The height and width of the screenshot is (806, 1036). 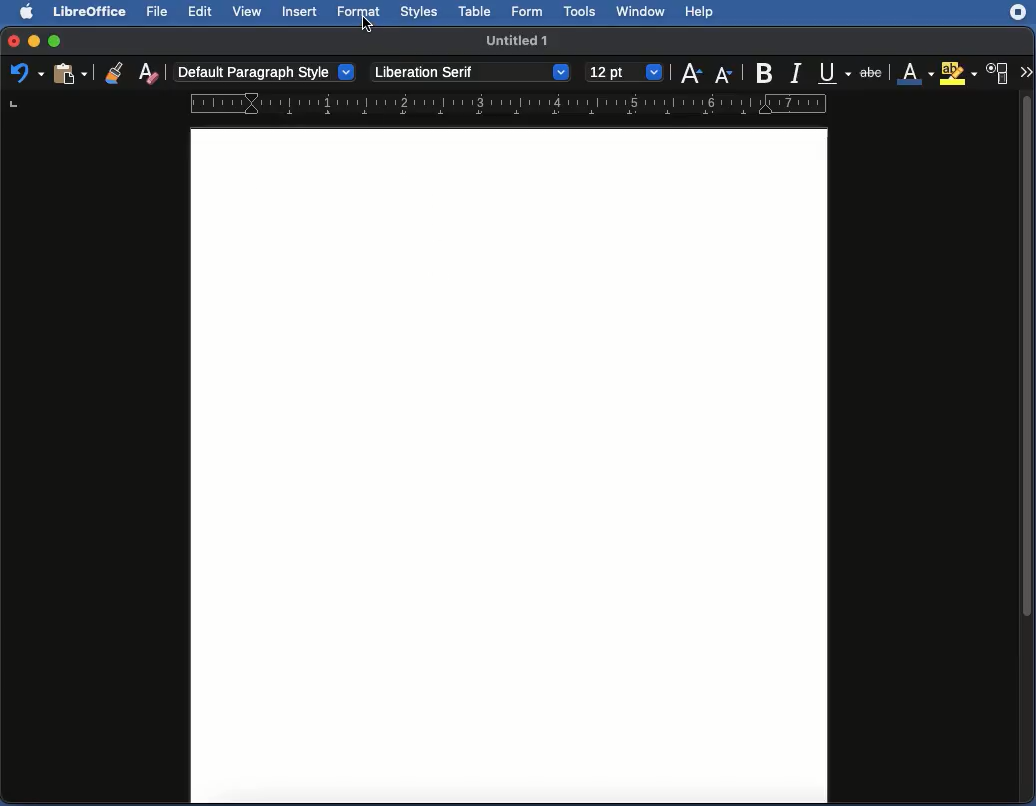 I want to click on Window, so click(x=644, y=12).